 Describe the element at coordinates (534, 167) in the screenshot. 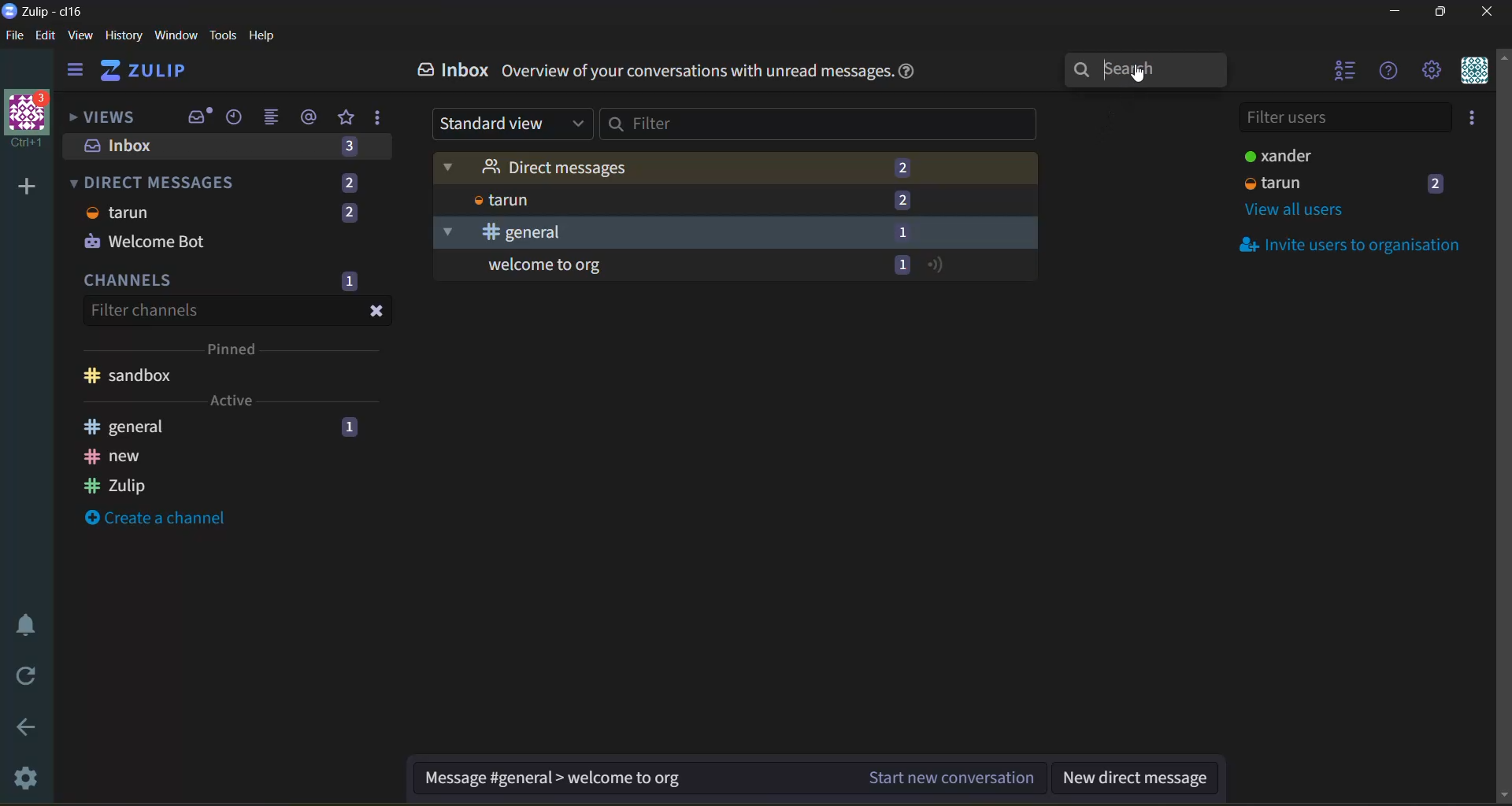

I see `Direct messages` at that location.